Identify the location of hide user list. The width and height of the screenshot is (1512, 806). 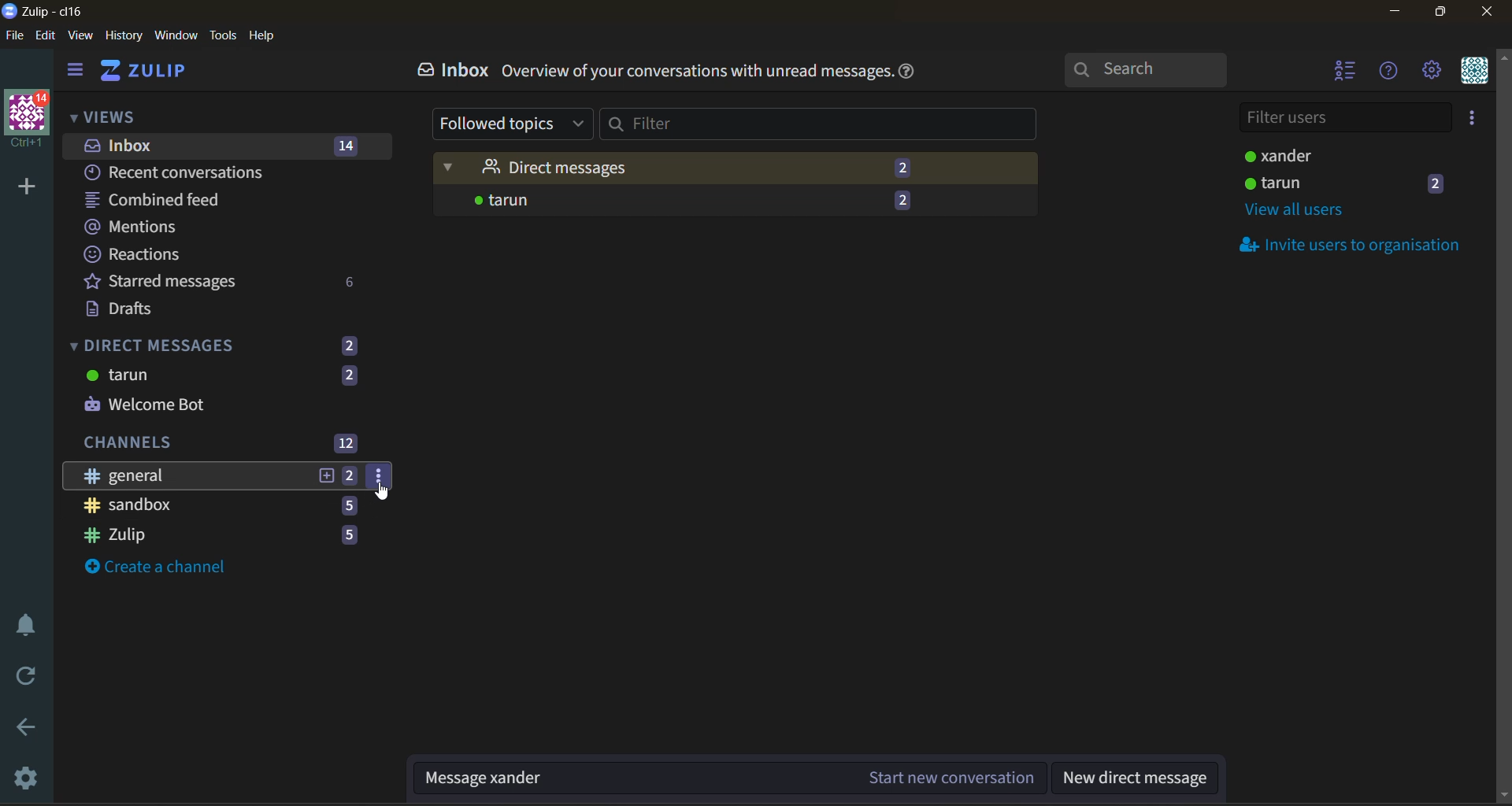
(1341, 72).